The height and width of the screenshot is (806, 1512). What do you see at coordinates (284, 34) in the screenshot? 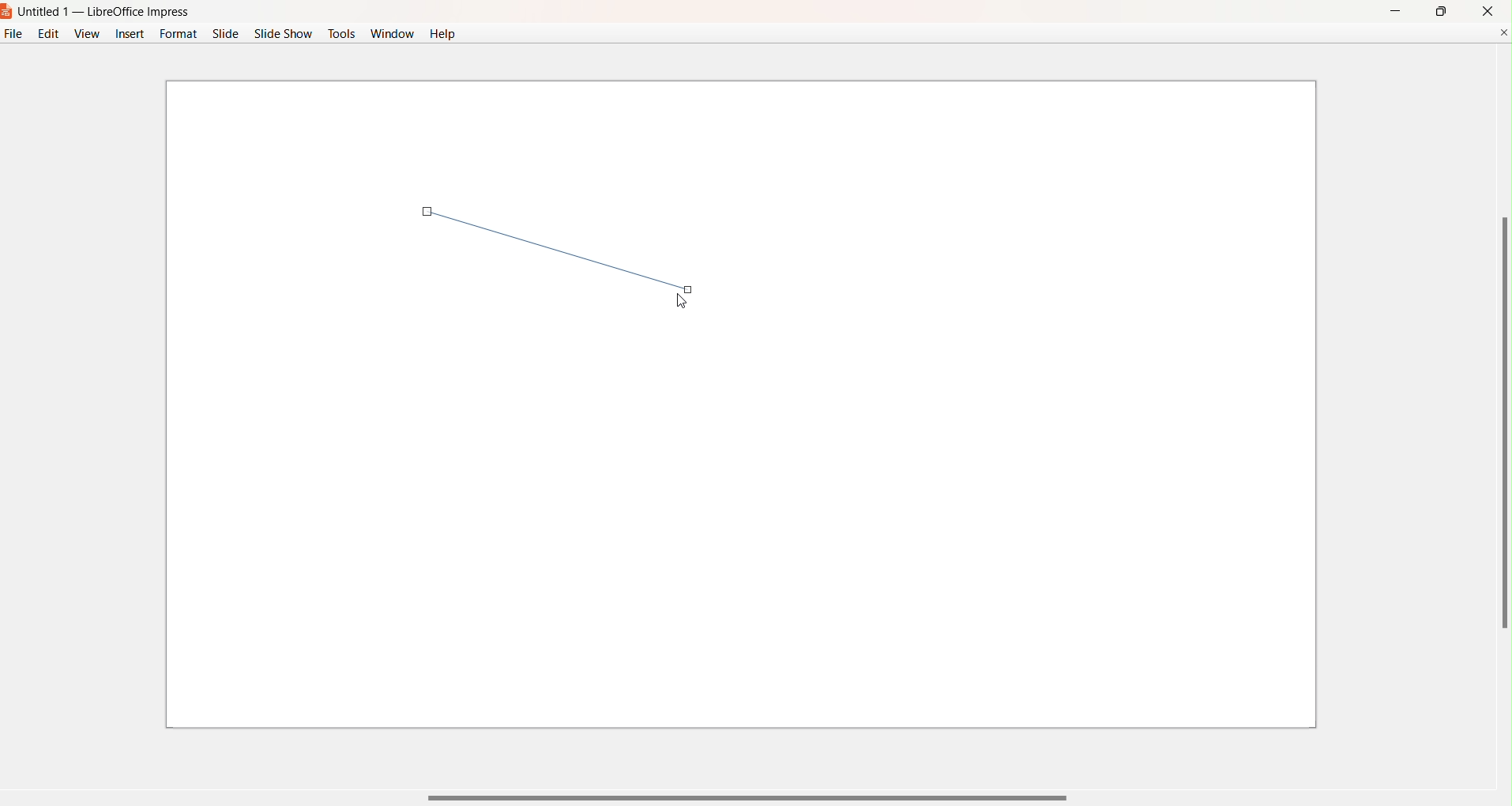
I see `Slide Show` at bounding box center [284, 34].